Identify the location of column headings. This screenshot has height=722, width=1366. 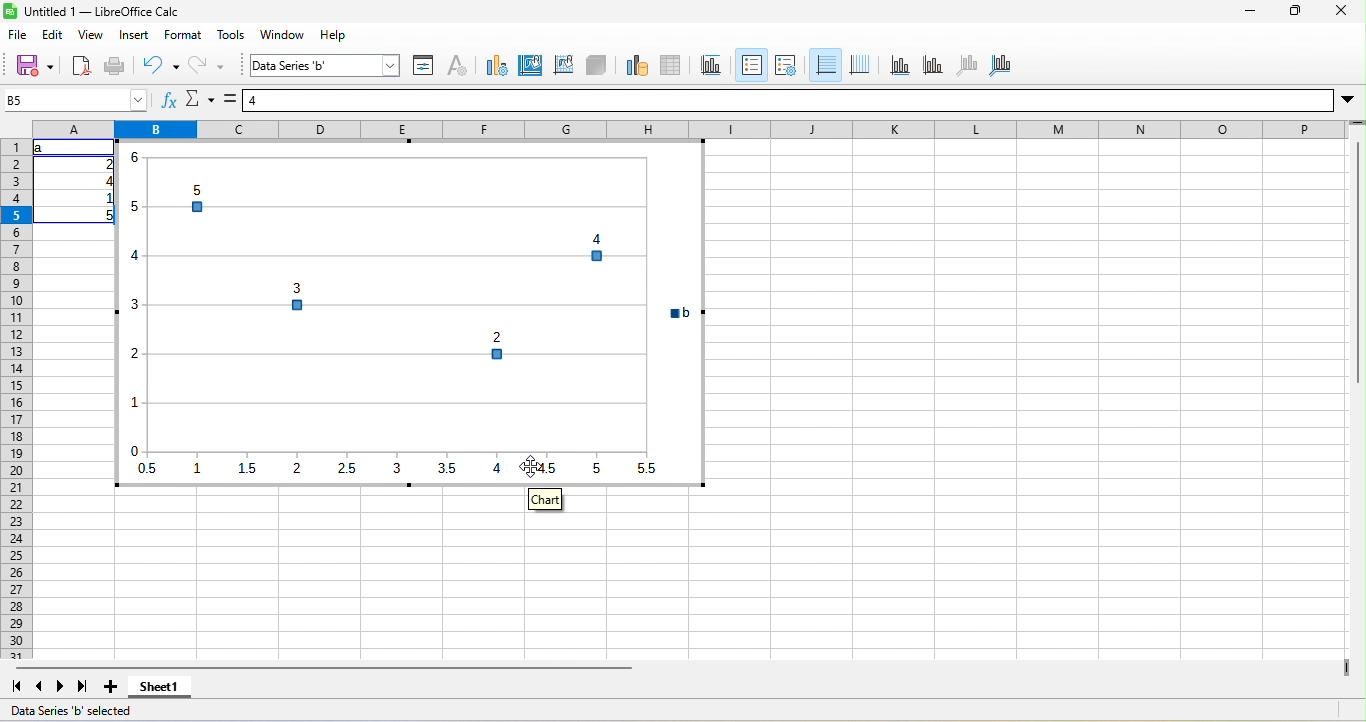
(690, 129).